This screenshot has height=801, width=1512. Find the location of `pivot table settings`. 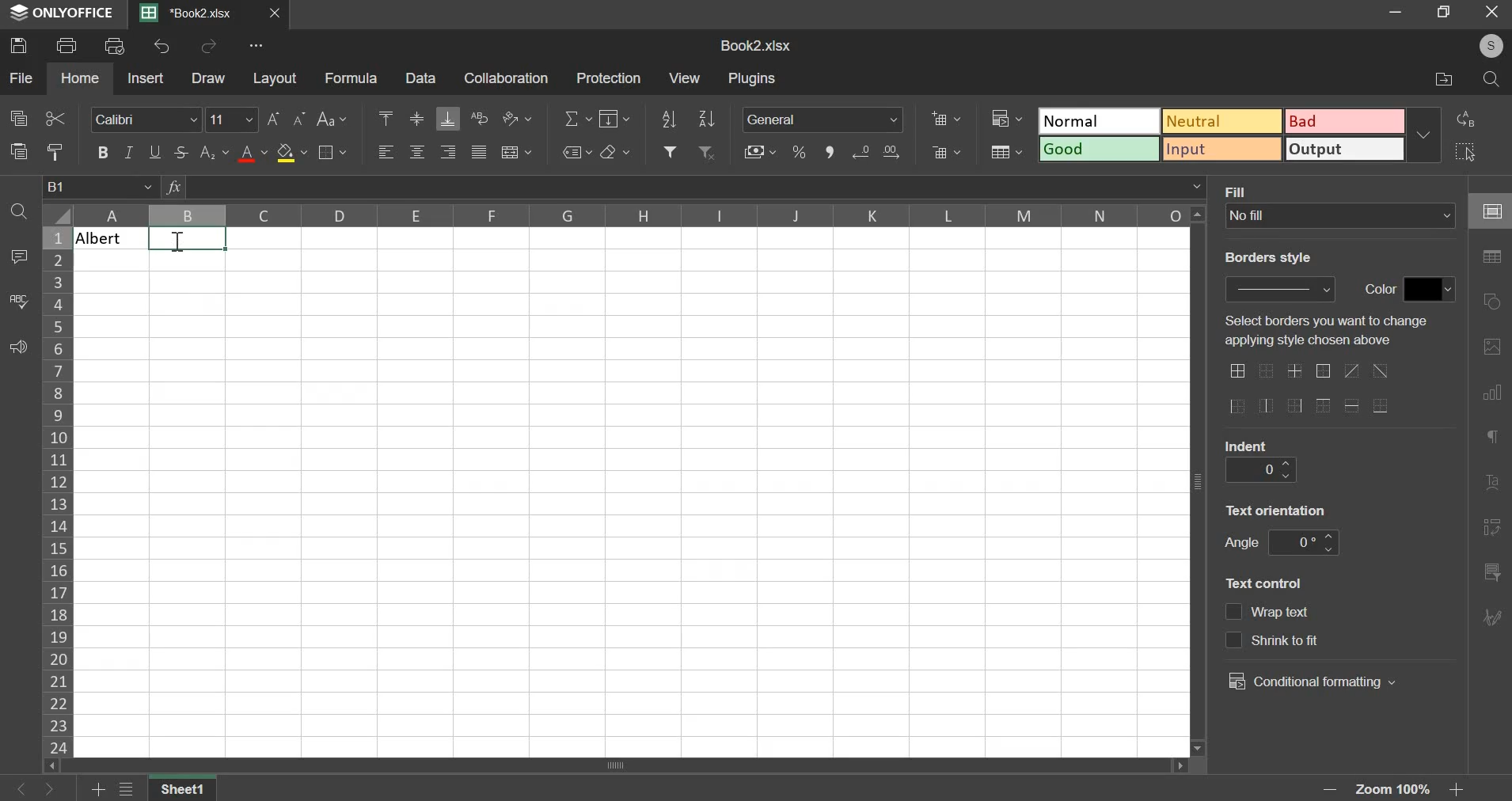

pivot table settings is located at coordinates (1492, 529).